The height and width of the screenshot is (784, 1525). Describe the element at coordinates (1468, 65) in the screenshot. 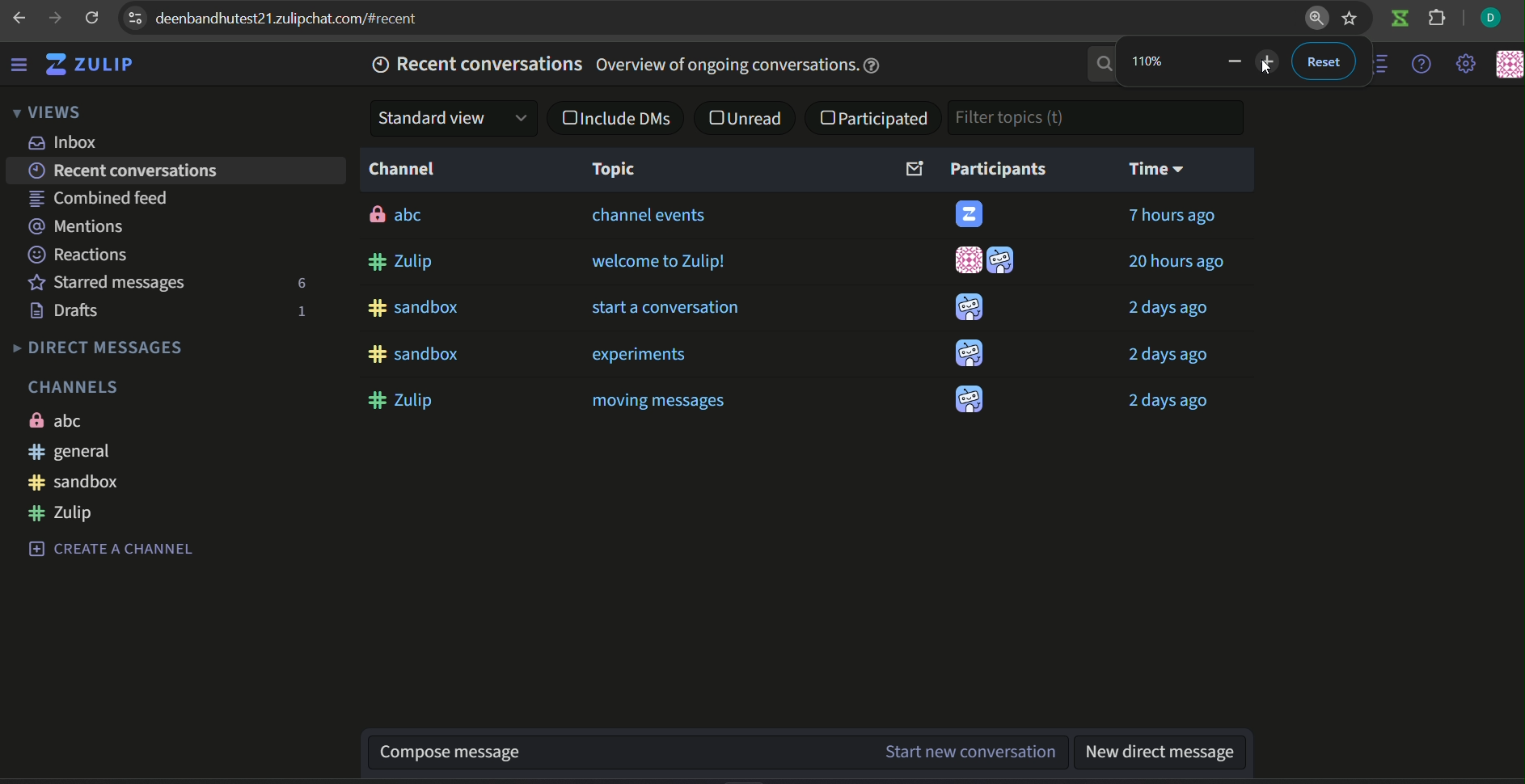

I see `settings` at that location.